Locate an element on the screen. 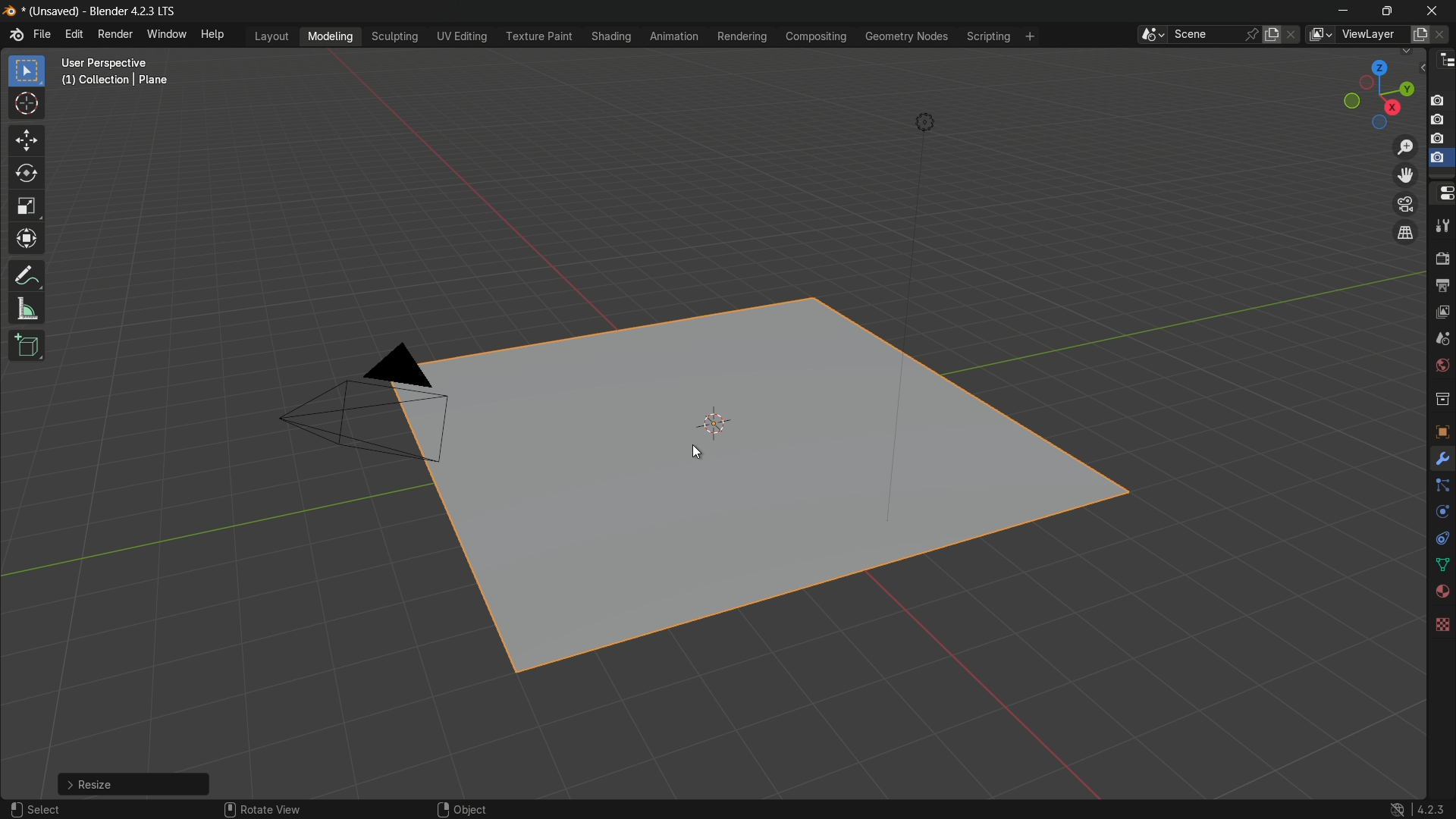 The image size is (1456, 819). animation is located at coordinates (676, 36).